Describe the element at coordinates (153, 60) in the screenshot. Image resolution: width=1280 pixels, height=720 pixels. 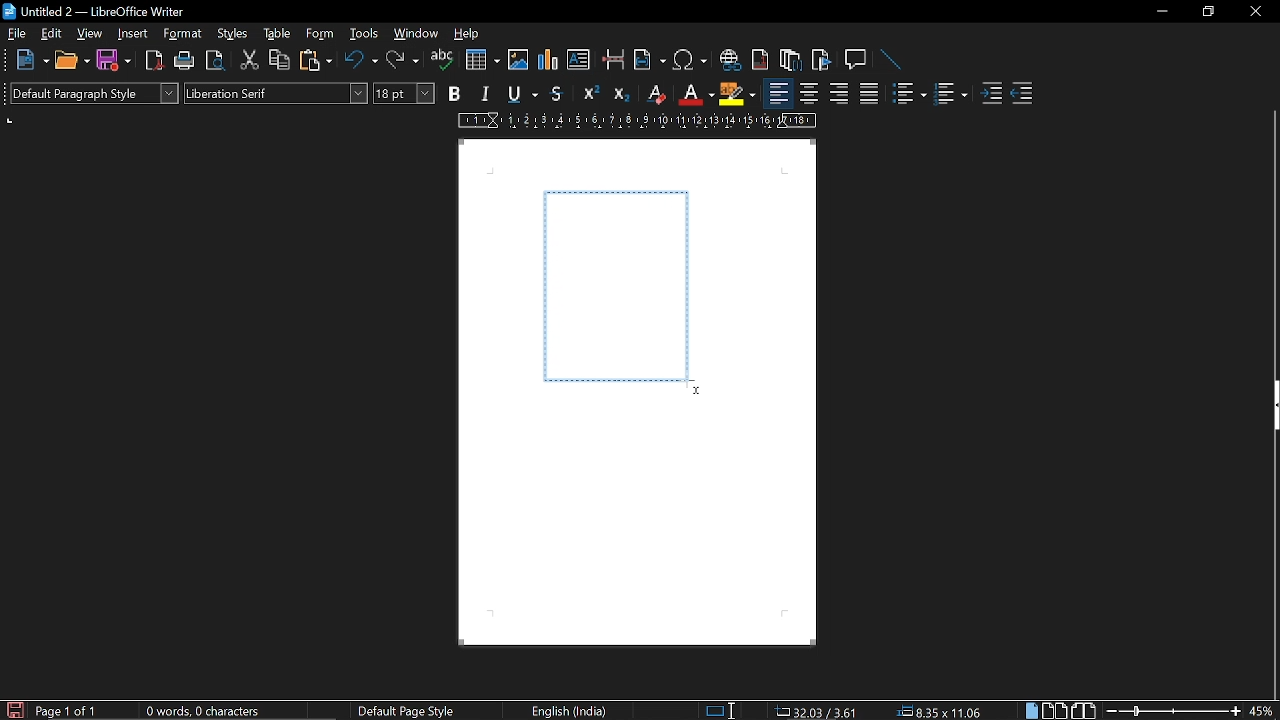
I see `export as pdf` at that location.